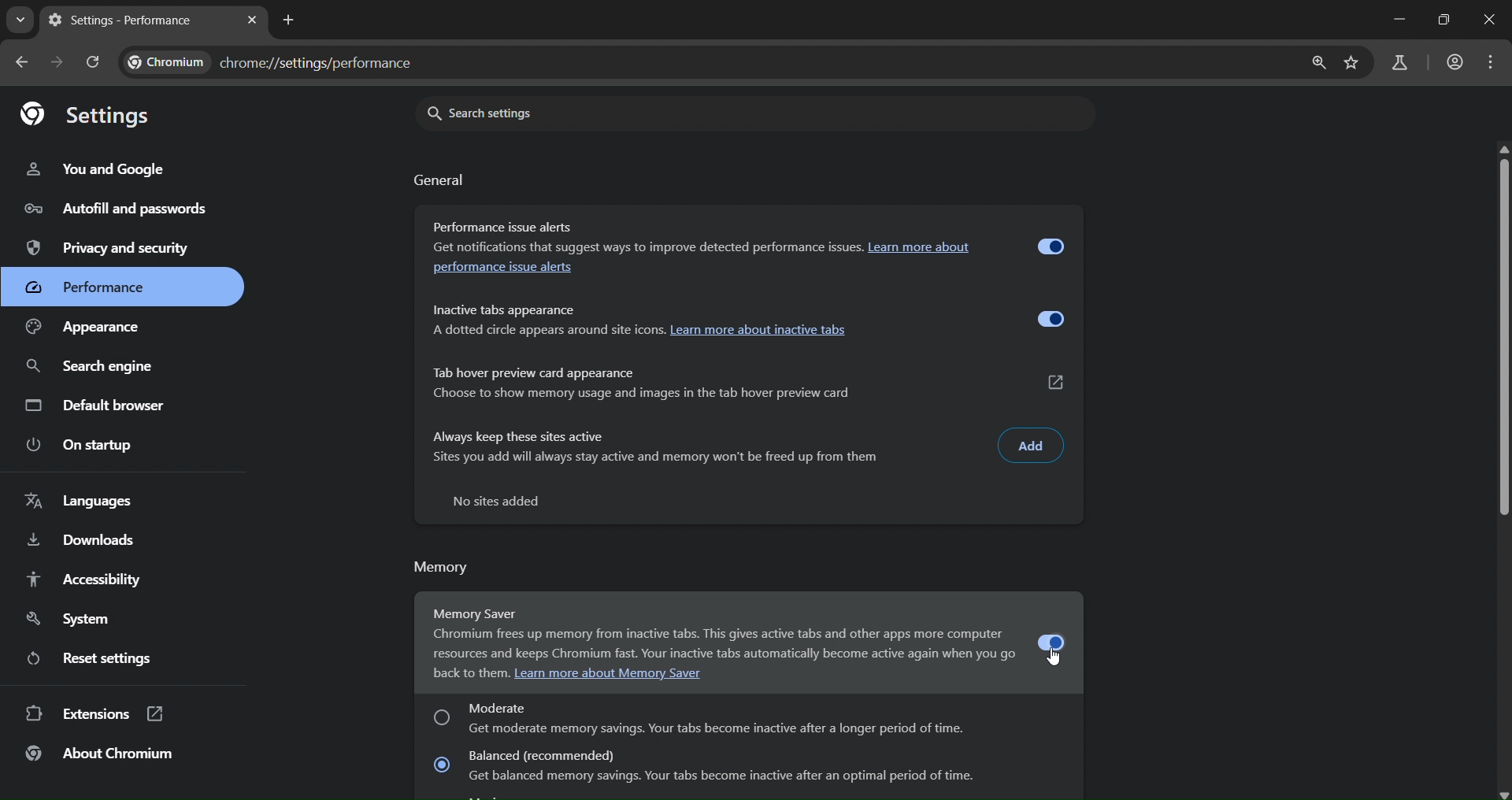 The height and width of the screenshot is (800, 1512). I want to click on current tab, so click(126, 20).